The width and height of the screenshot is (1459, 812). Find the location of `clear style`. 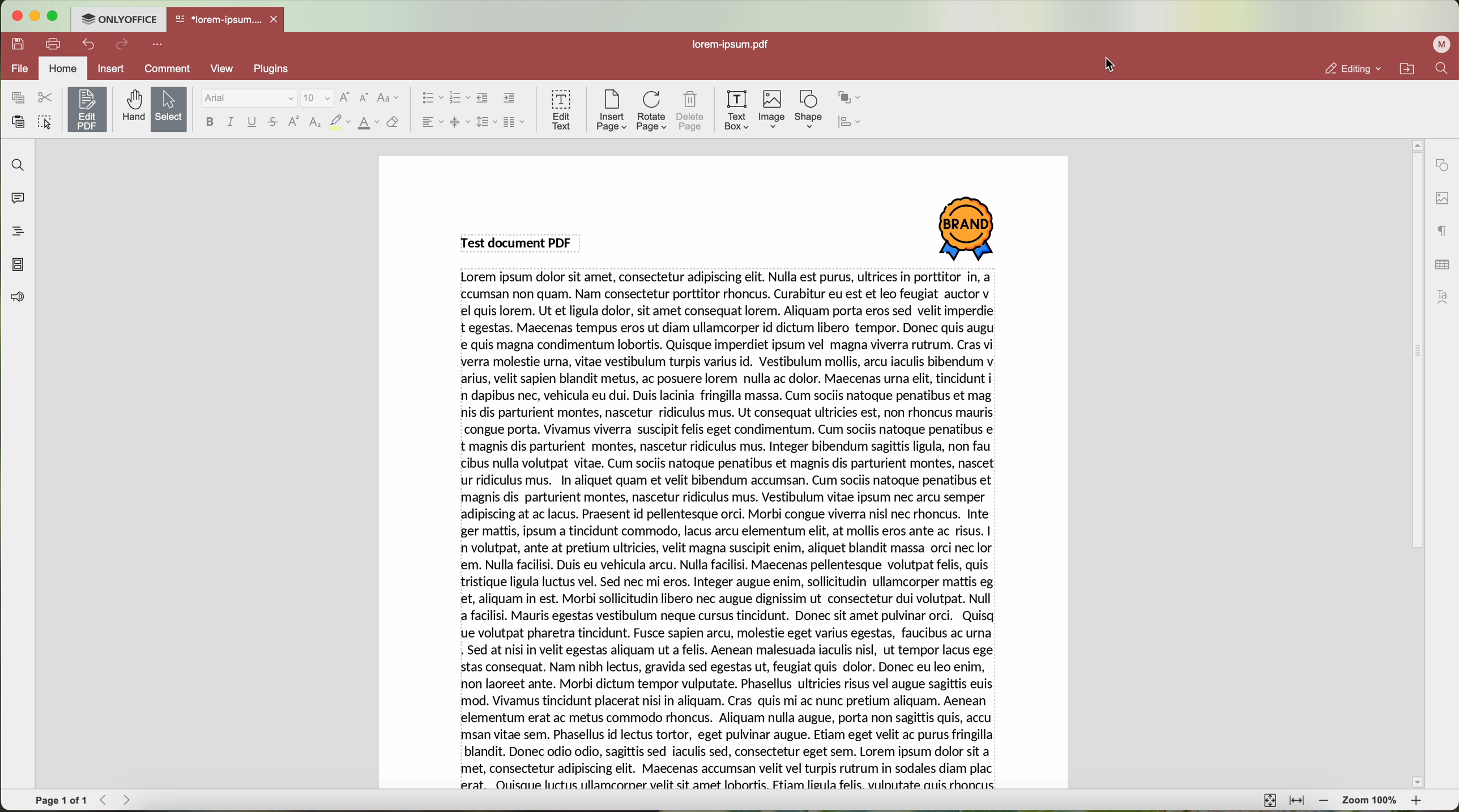

clear style is located at coordinates (393, 123).